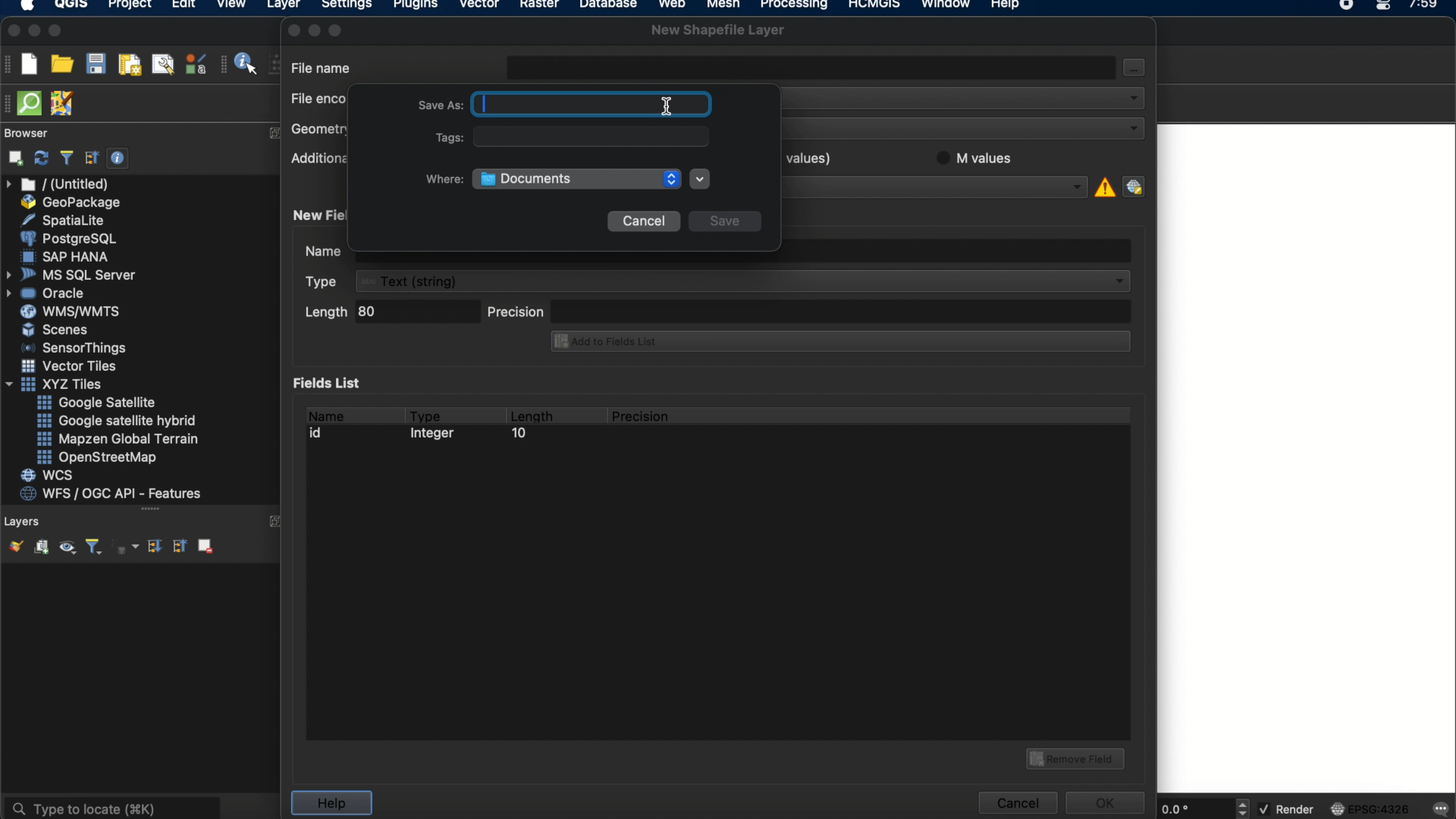 The image size is (1456, 819). I want to click on new shaoefile layer, so click(718, 30).